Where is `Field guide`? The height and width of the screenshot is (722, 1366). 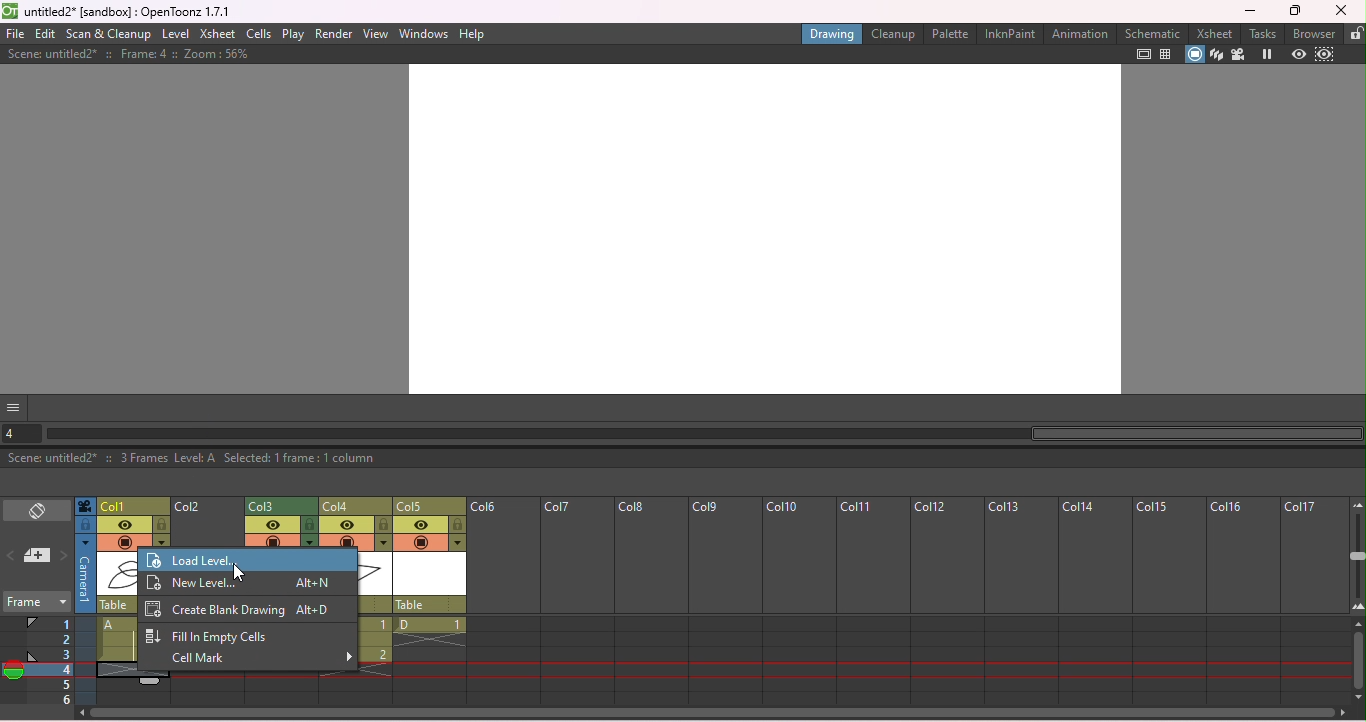 Field guide is located at coordinates (1169, 54).